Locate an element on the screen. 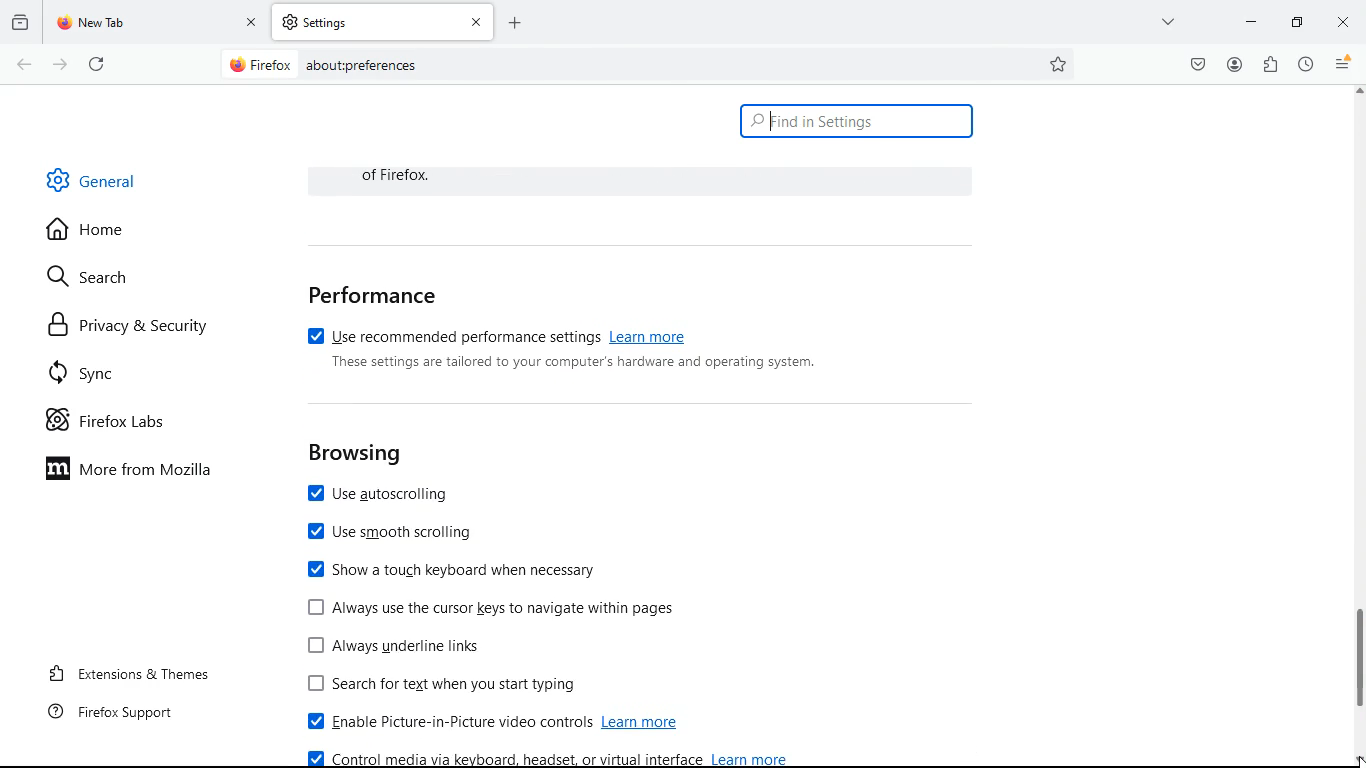  minimize is located at coordinates (1251, 21).